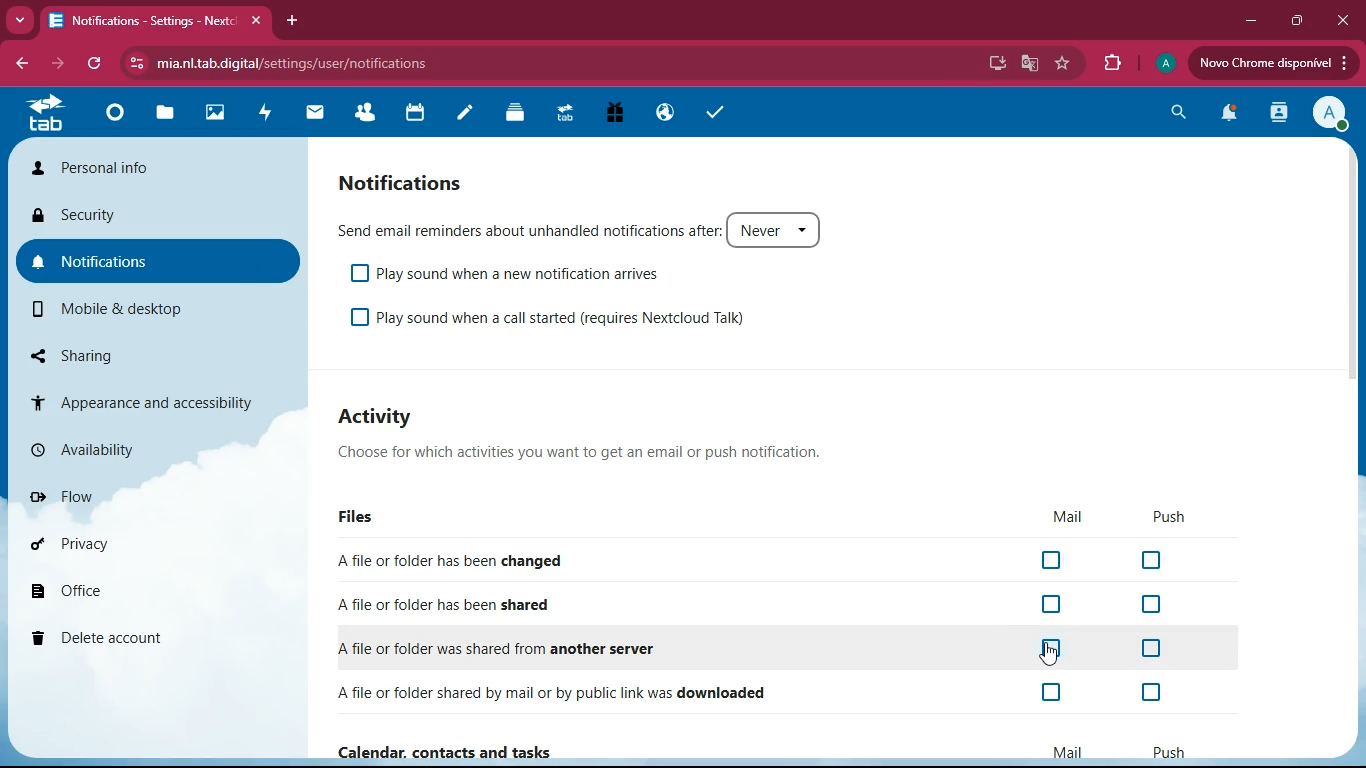  I want to click on Calendar, contacts and tasks, so click(448, 753).